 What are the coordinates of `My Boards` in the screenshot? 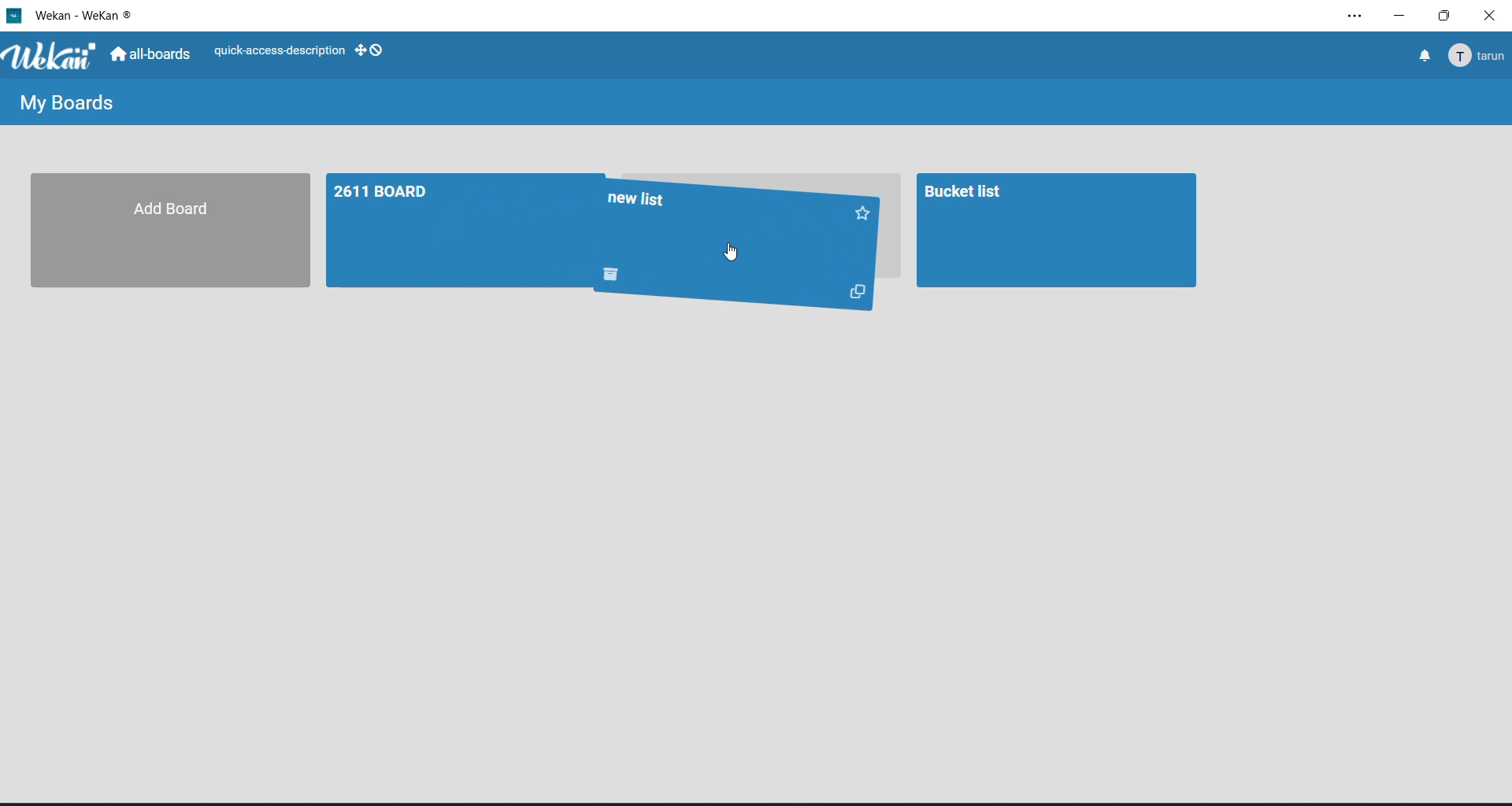 It's located at (65, 105).